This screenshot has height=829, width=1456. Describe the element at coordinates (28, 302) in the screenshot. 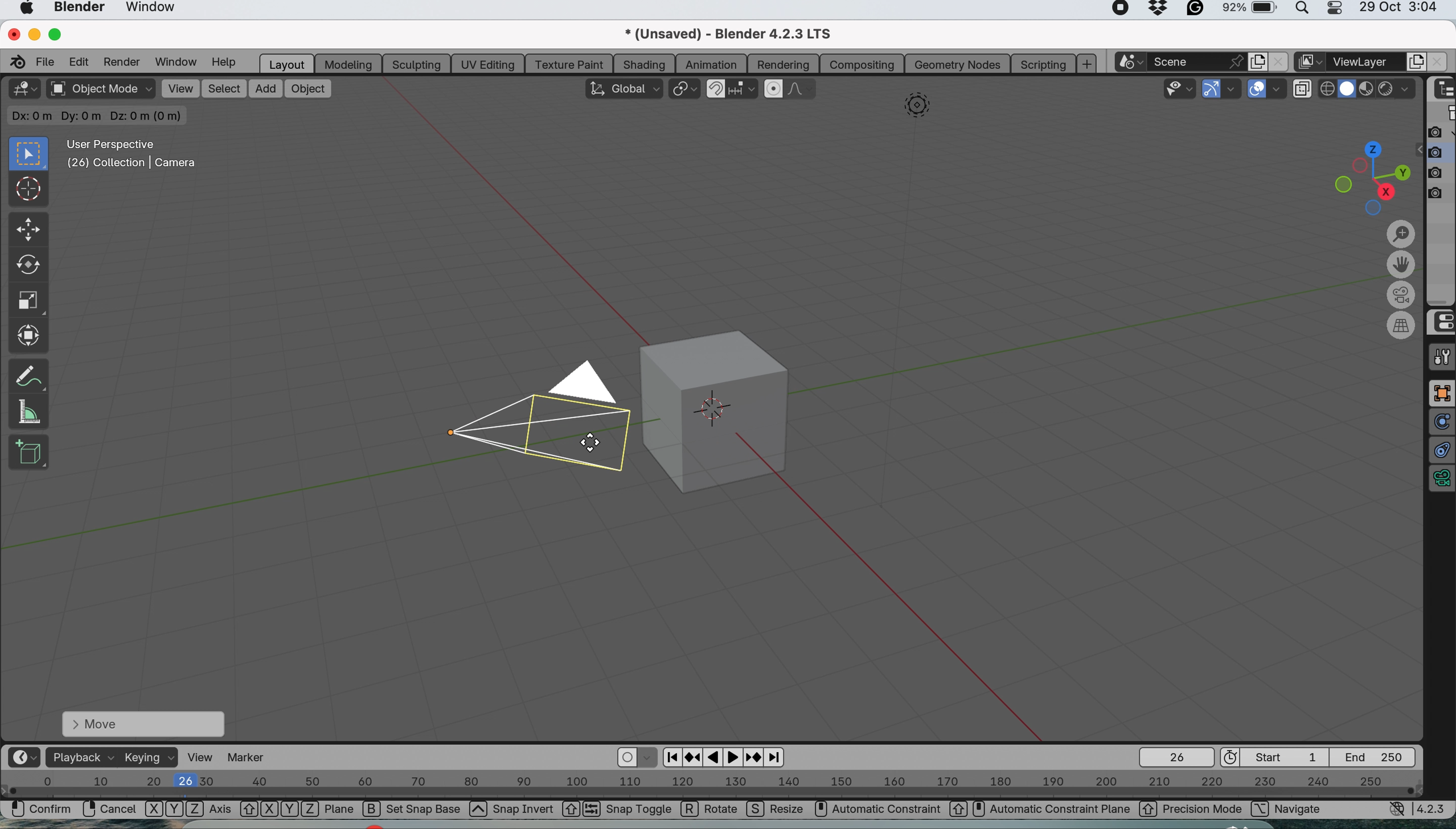

I see `scale` at that location.